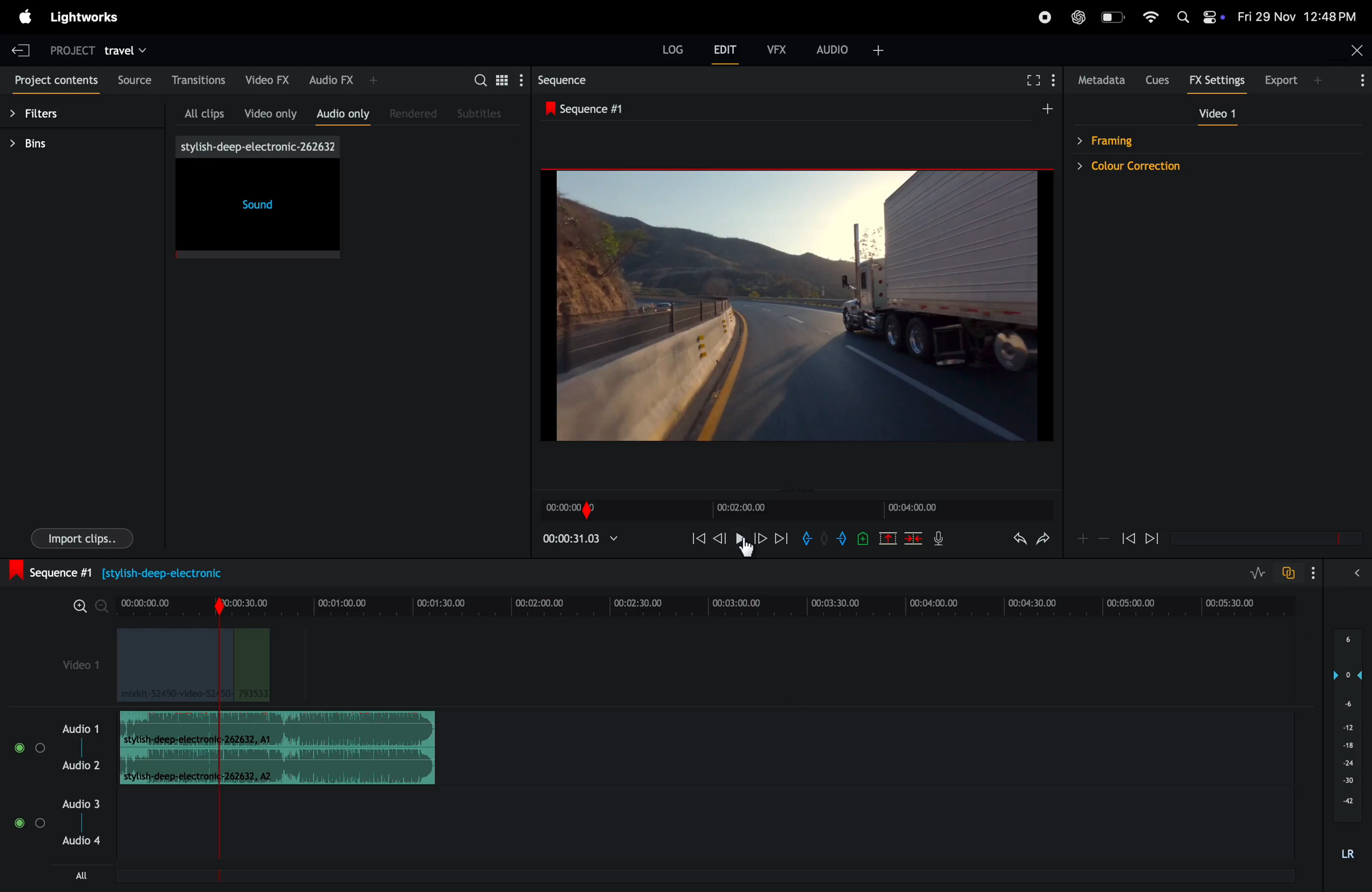 This screenshot has height=892, width=1372. What do you see at coordinates (82, 727) in the screenshot?
I see `audio` at bounding box center [82, 727].